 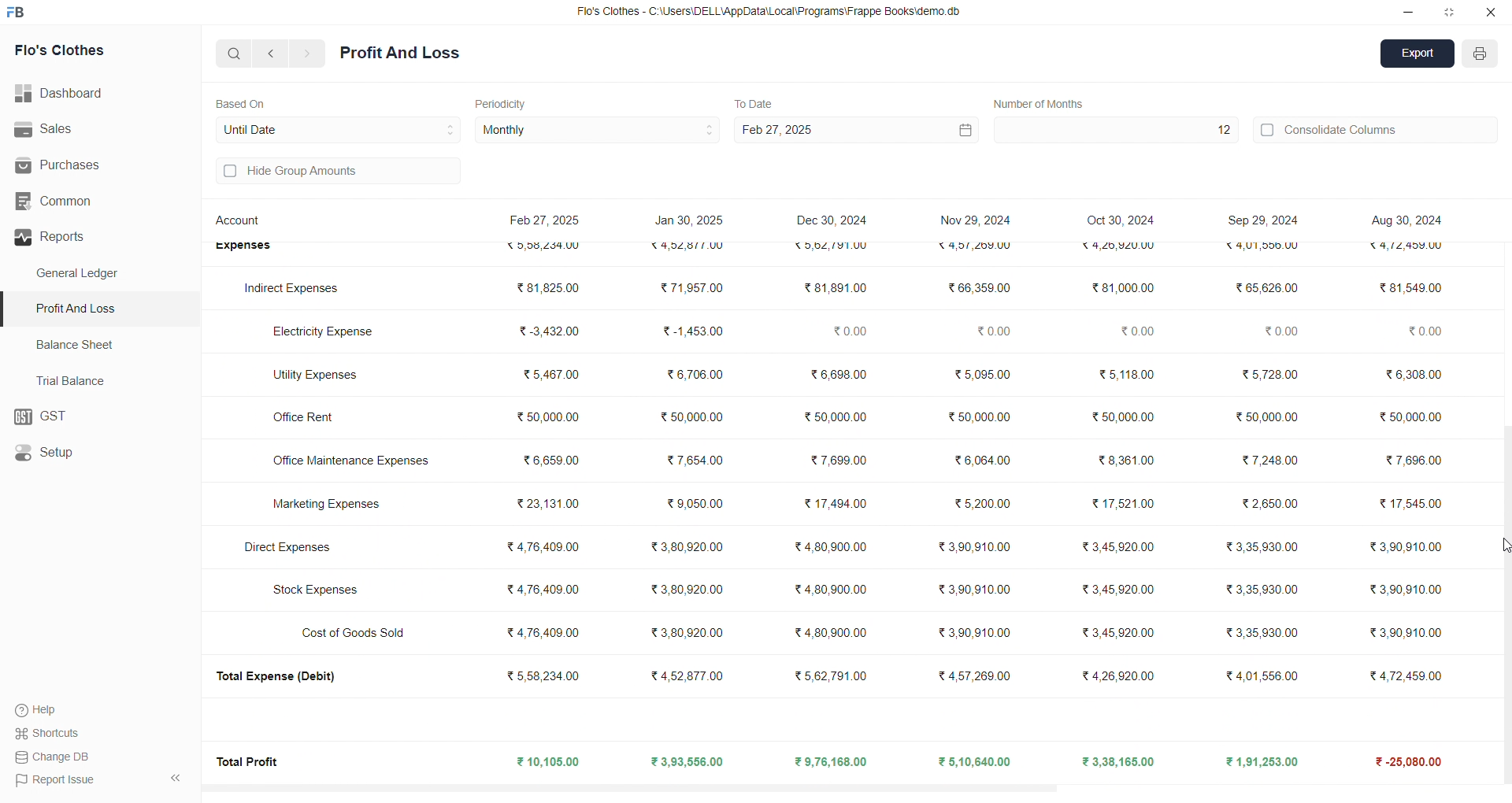 I want to click on ₹7,248.00, so click(x=1275, y=460).